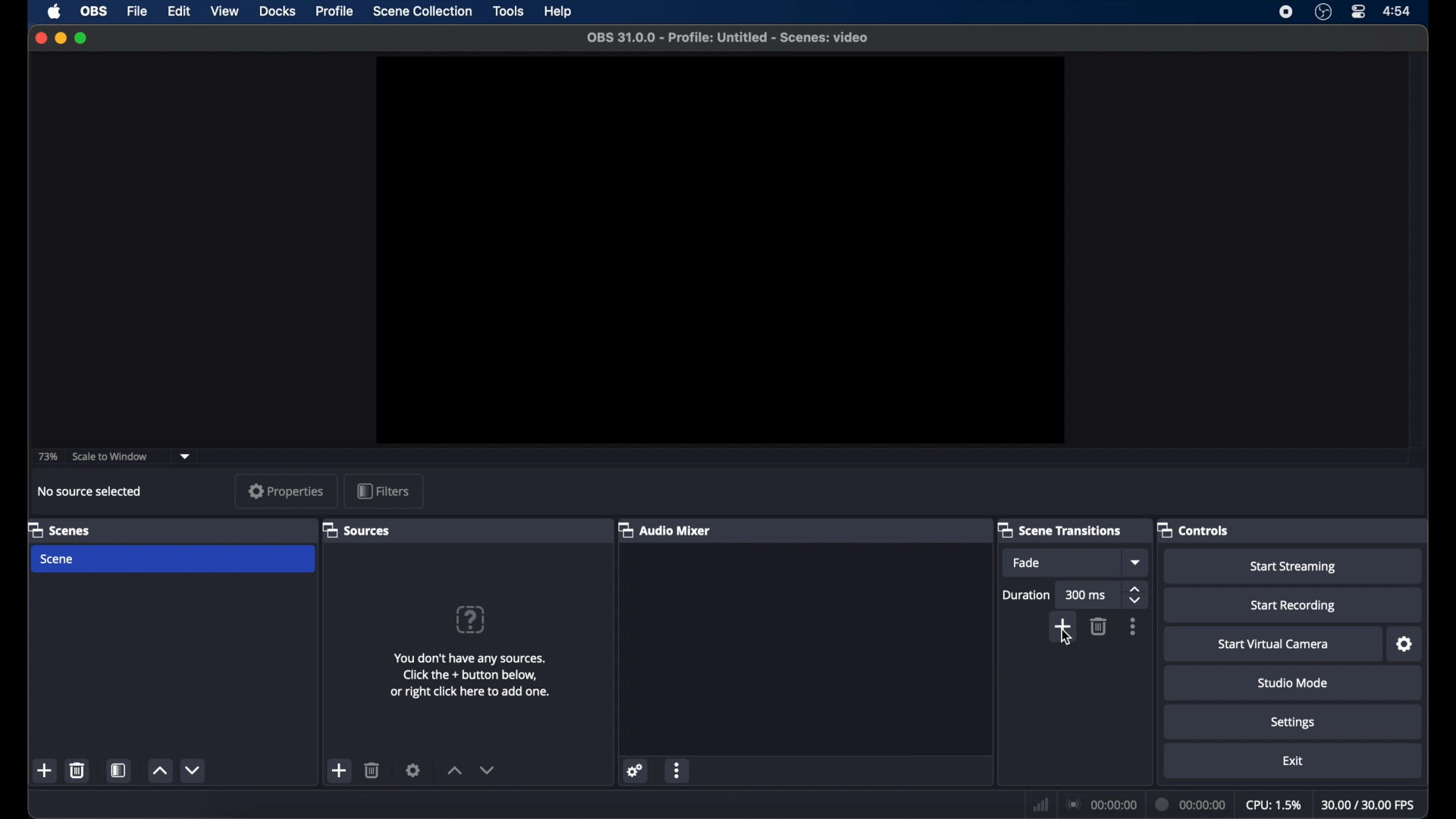 The width and height of the screenshot is (1456, 819). Describe the element at coordinates (487, 770) in the screenshot. I see `decrement` at that location.